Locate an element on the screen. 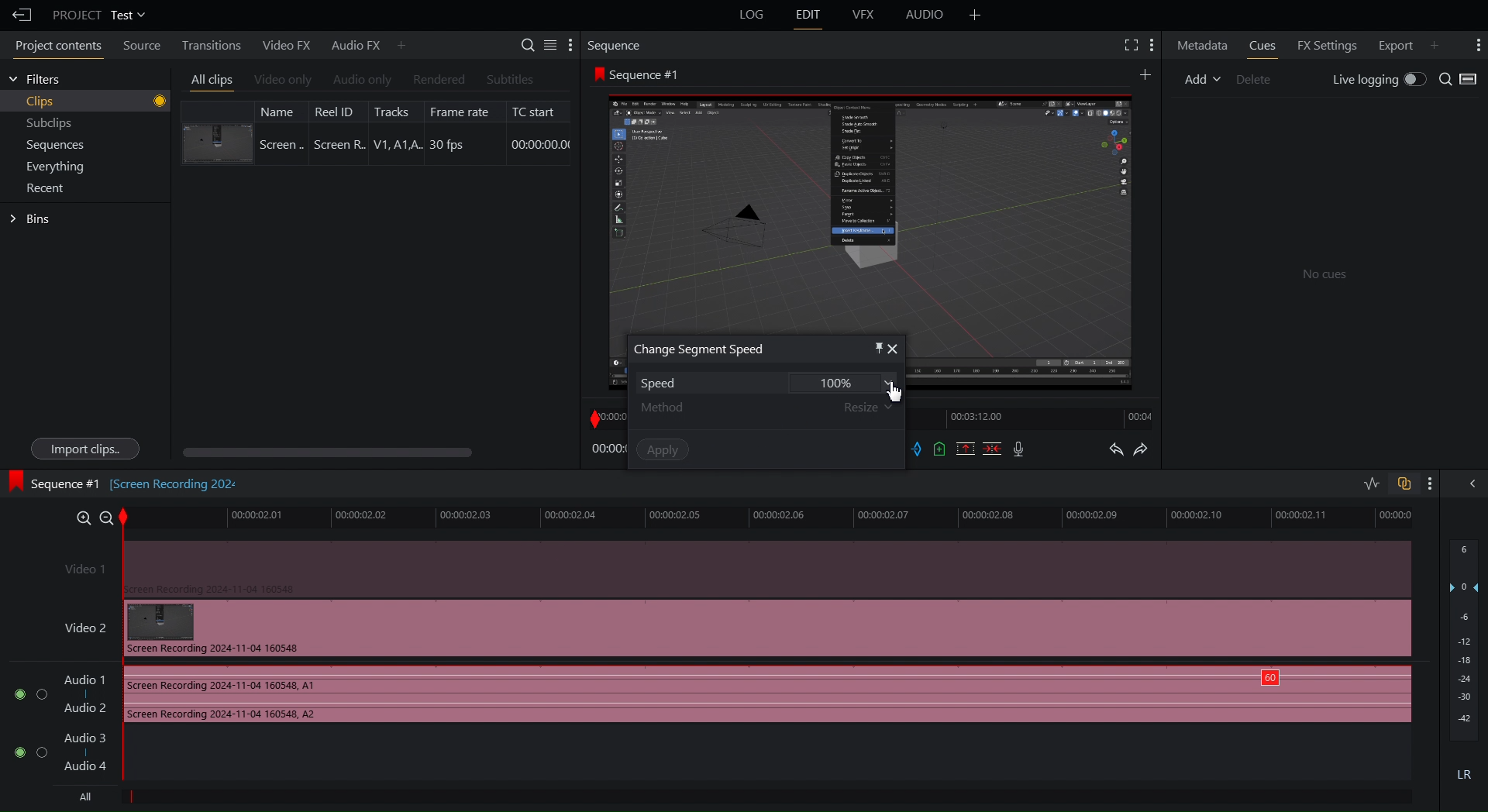 The width and height of the screenshot is (1488, 812). Speed is located at coordinates (762, 382).